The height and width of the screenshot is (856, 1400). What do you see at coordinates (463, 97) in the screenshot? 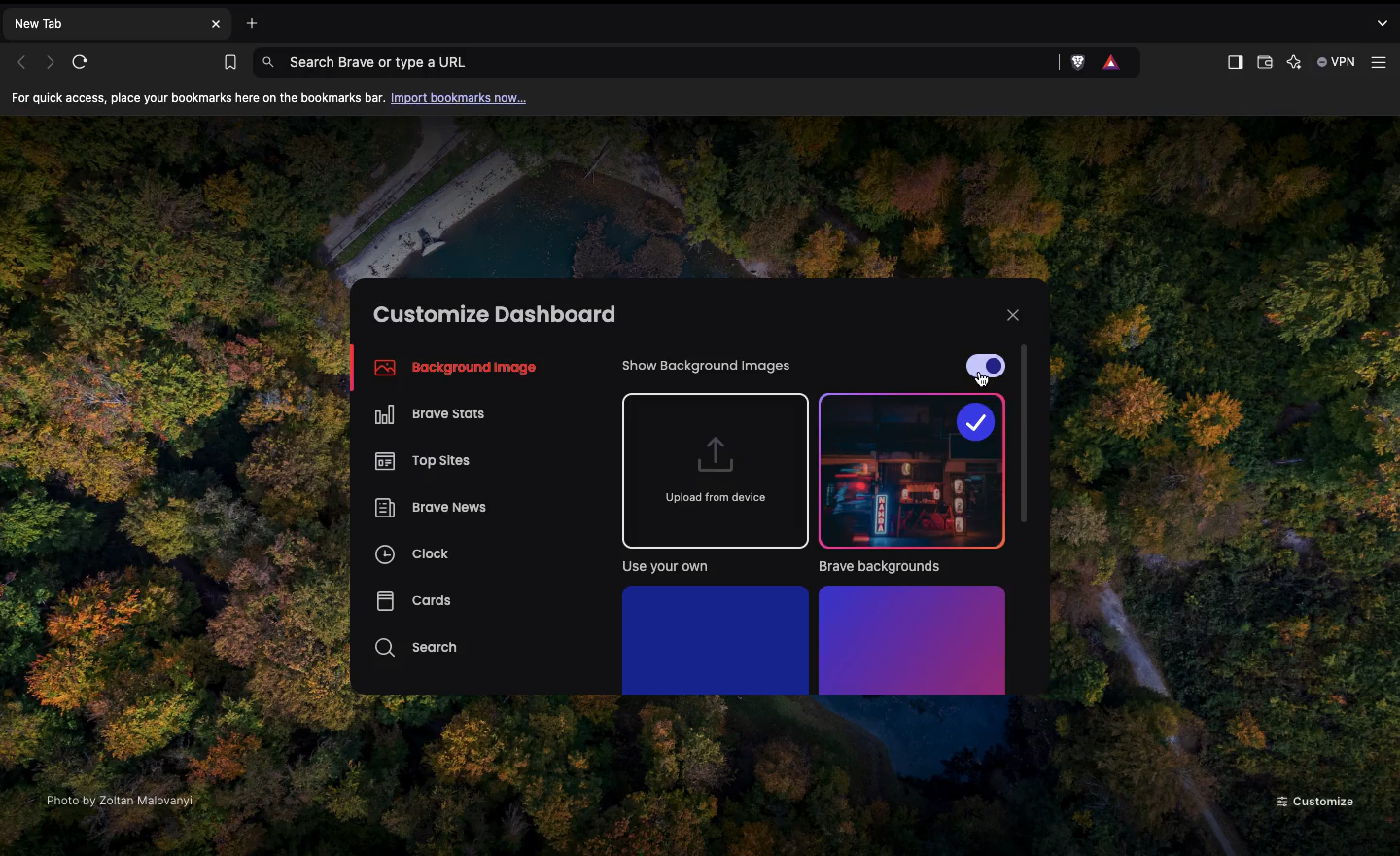
I see `Import bookmarks now...` at bounding box center [463, 97].